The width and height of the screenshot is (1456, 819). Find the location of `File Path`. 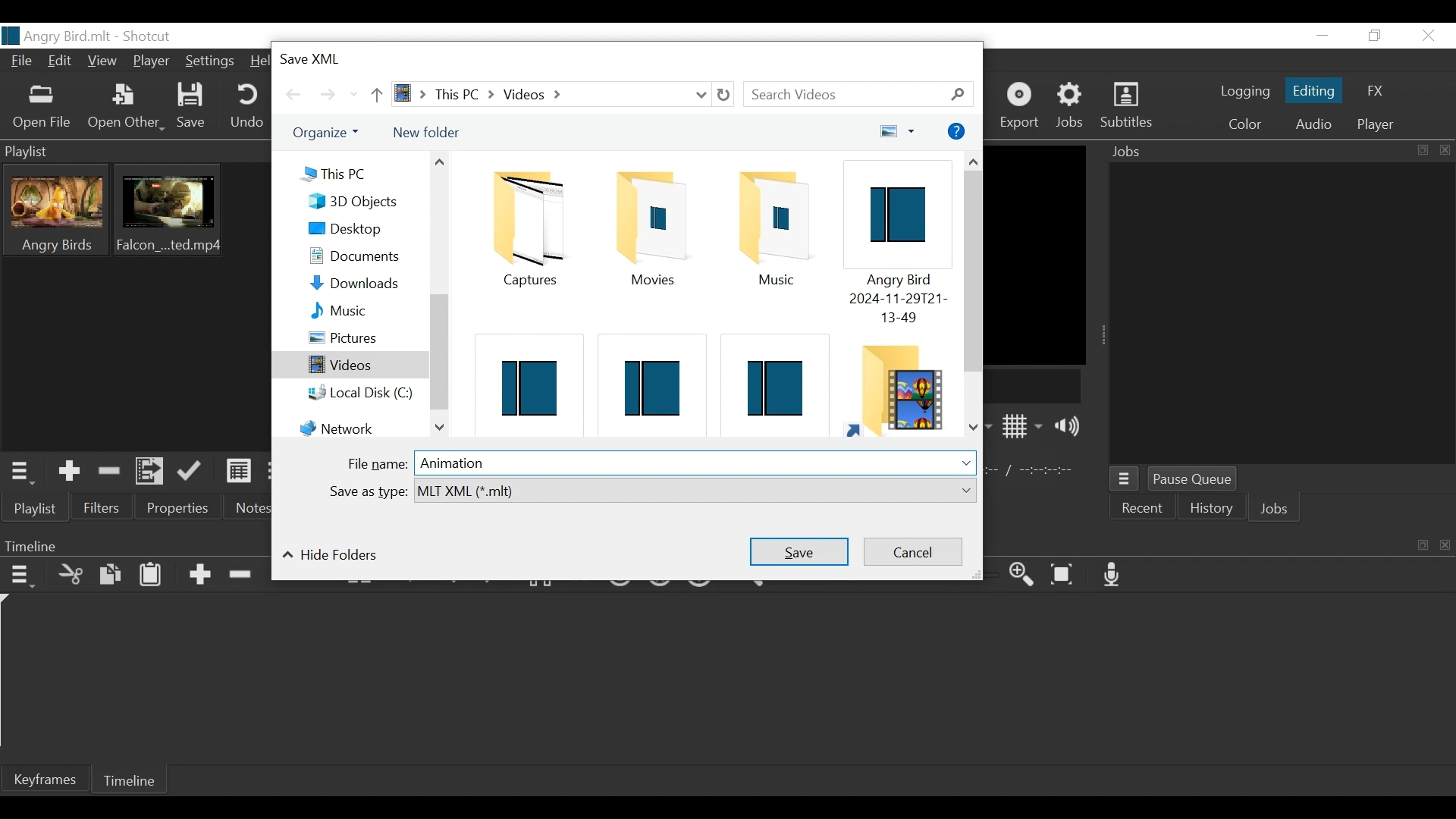

File Path is located at coordinates (548, 95).